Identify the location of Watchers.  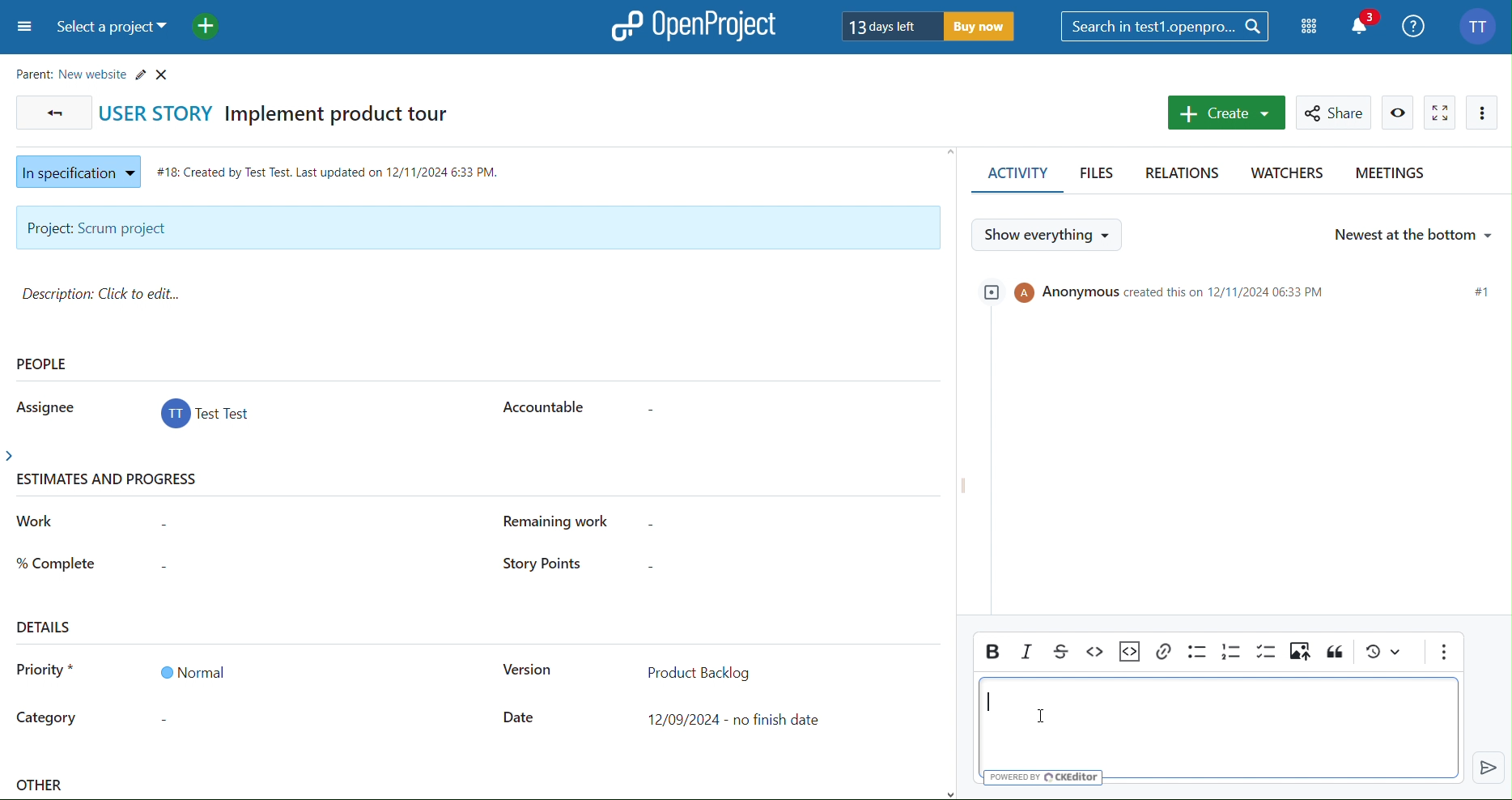
(1285, 176).